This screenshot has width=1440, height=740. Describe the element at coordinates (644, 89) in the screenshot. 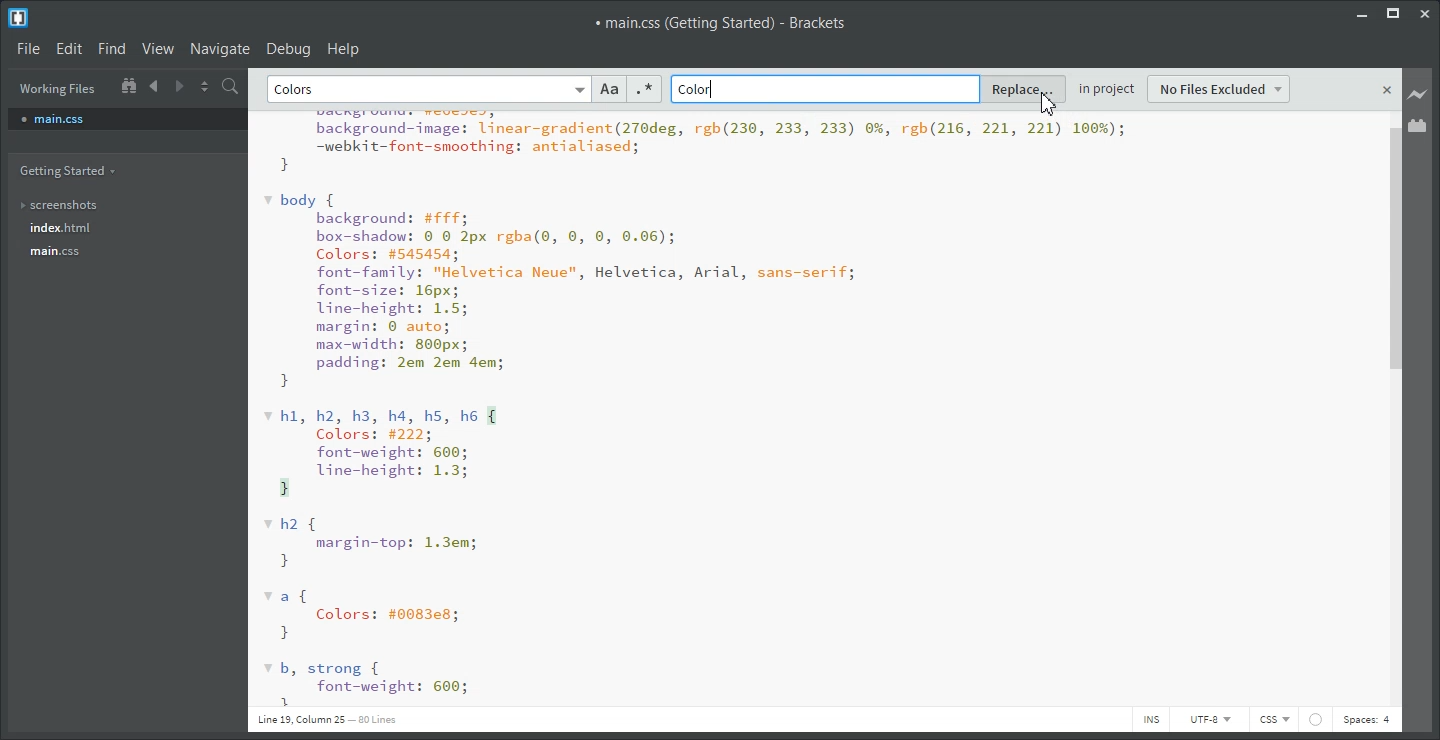

I see `Regular Expression` at that location.